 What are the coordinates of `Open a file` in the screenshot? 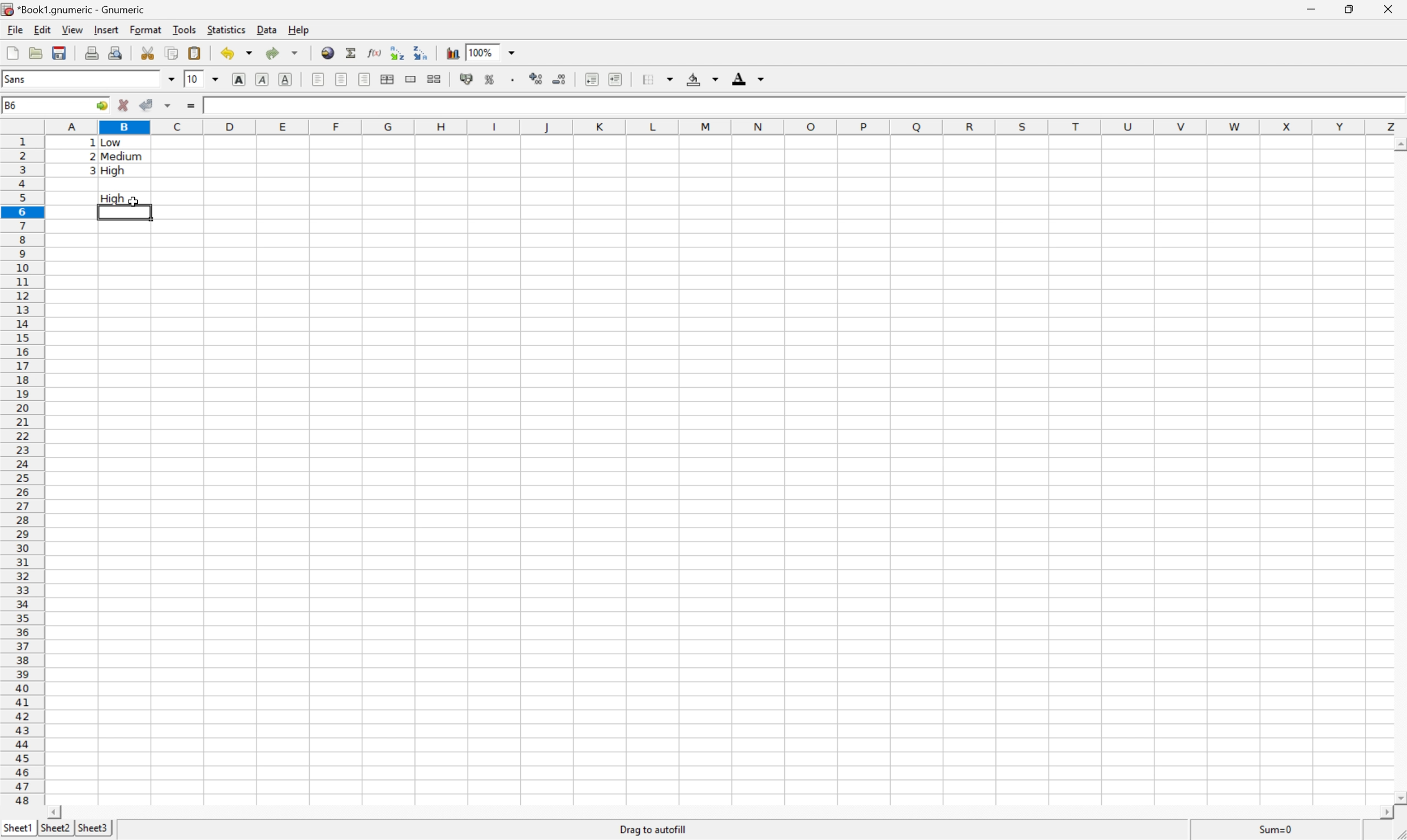 It's located at (35, 53).